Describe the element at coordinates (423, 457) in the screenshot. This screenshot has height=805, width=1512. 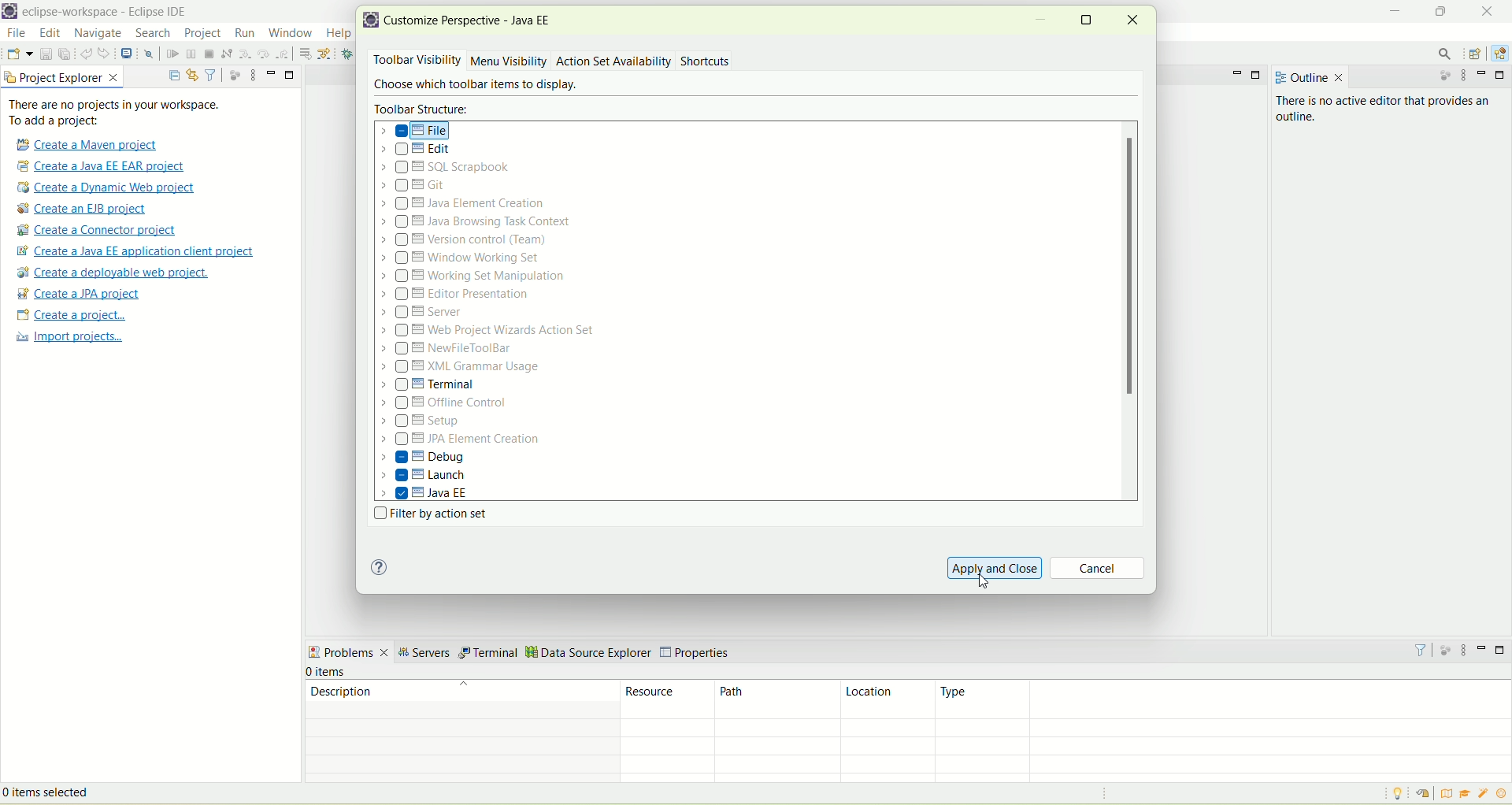
I see `debug` at that location.